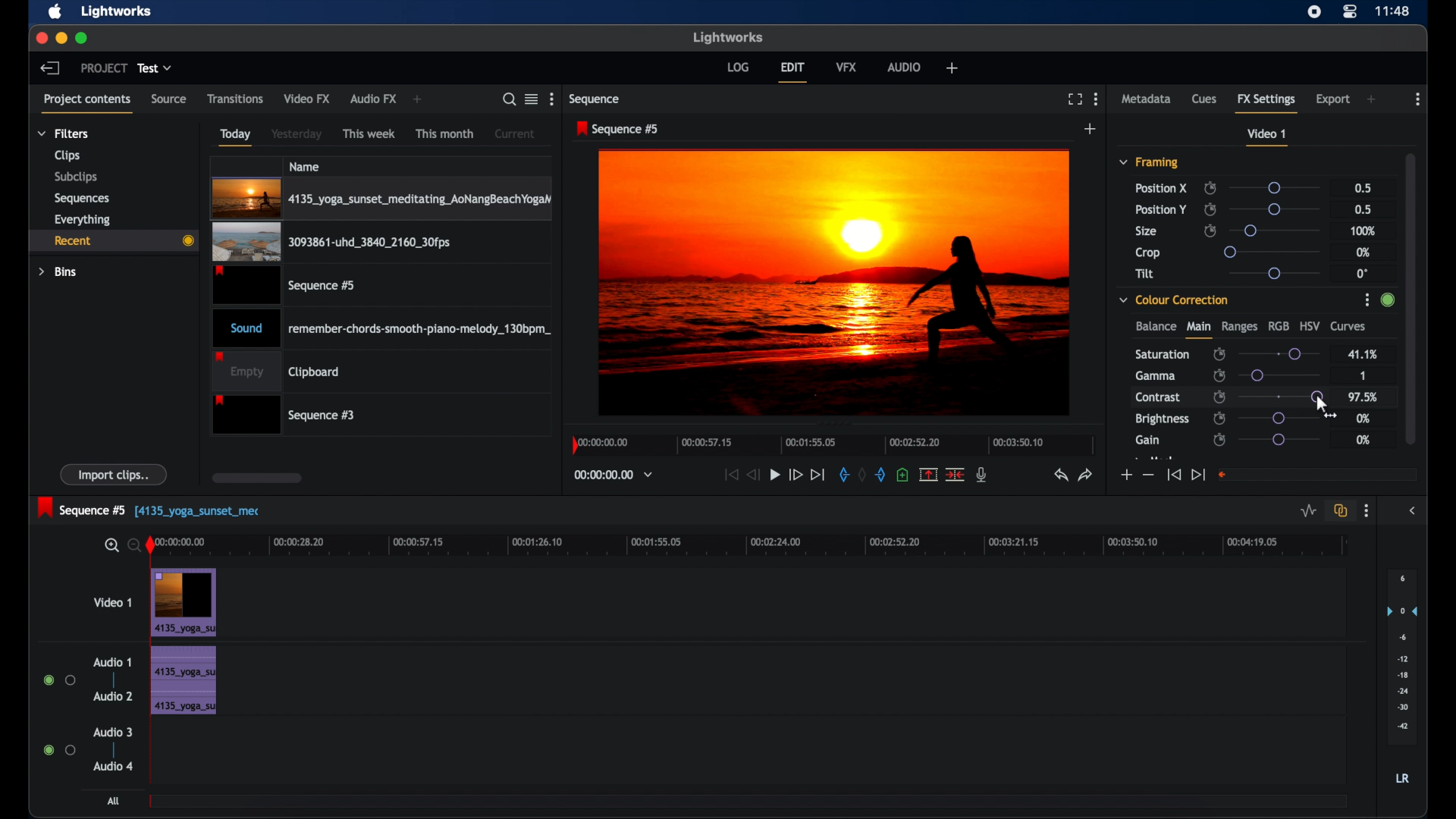 This screenshot has height=819, width=1456. What do you see at coordinates (881, 474) in the screenshot?
I see `out mark` at bounding box center [881, 474].